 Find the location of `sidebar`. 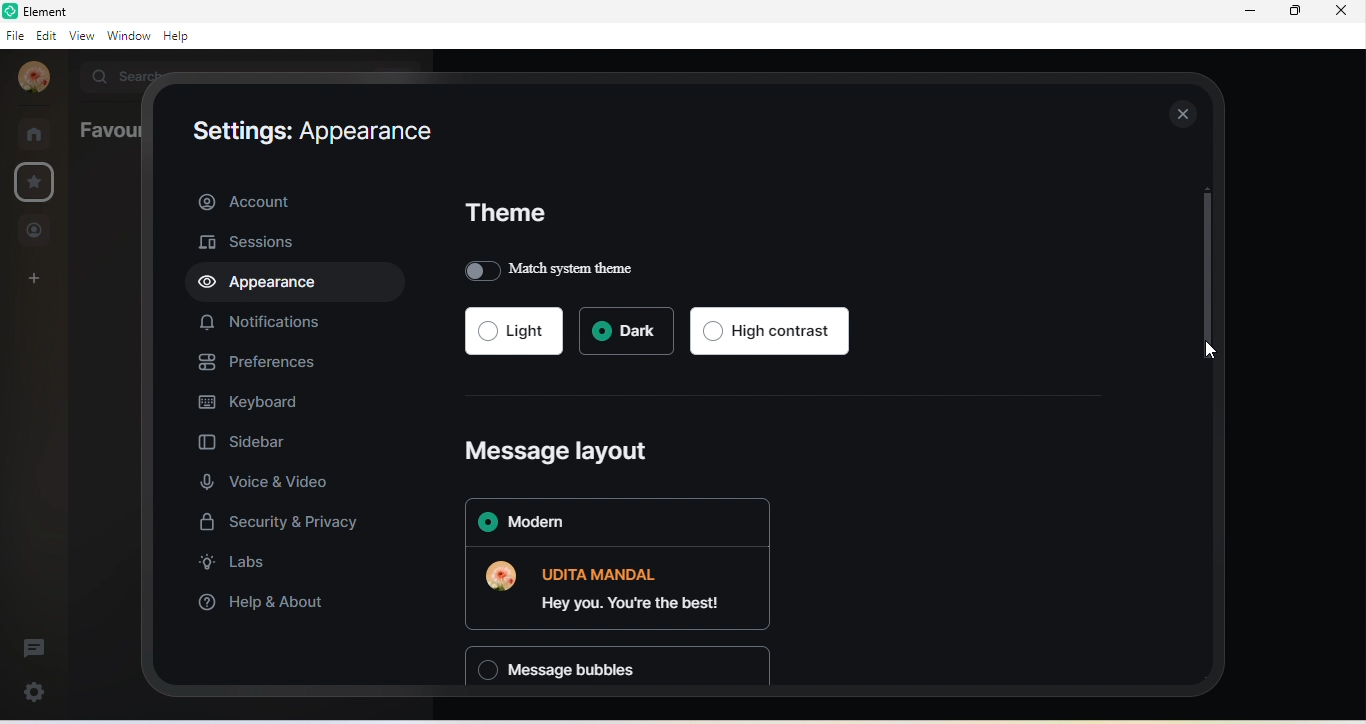

sidebar is located at coordinates (264, 439).